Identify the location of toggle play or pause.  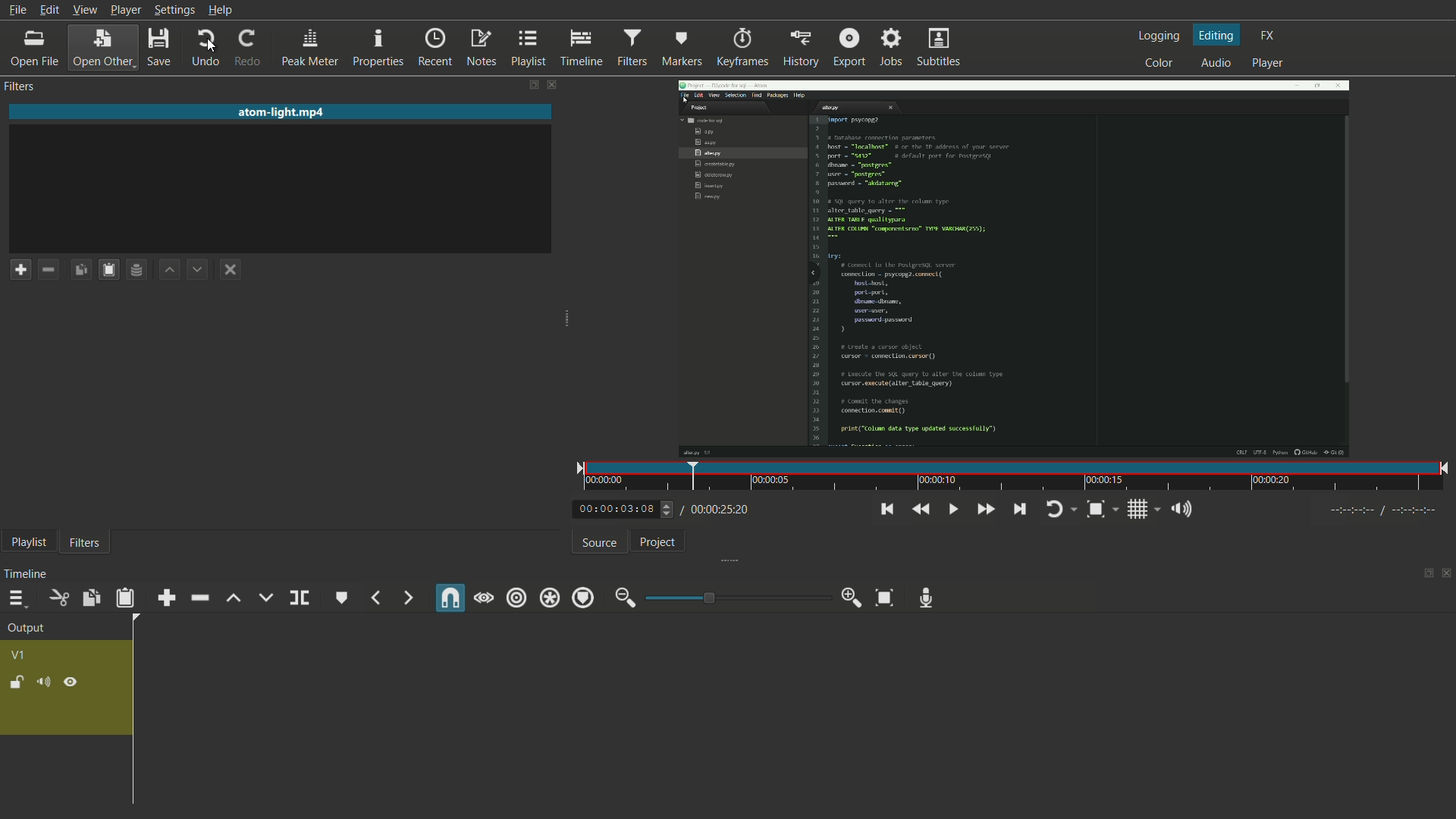
(954, 510).